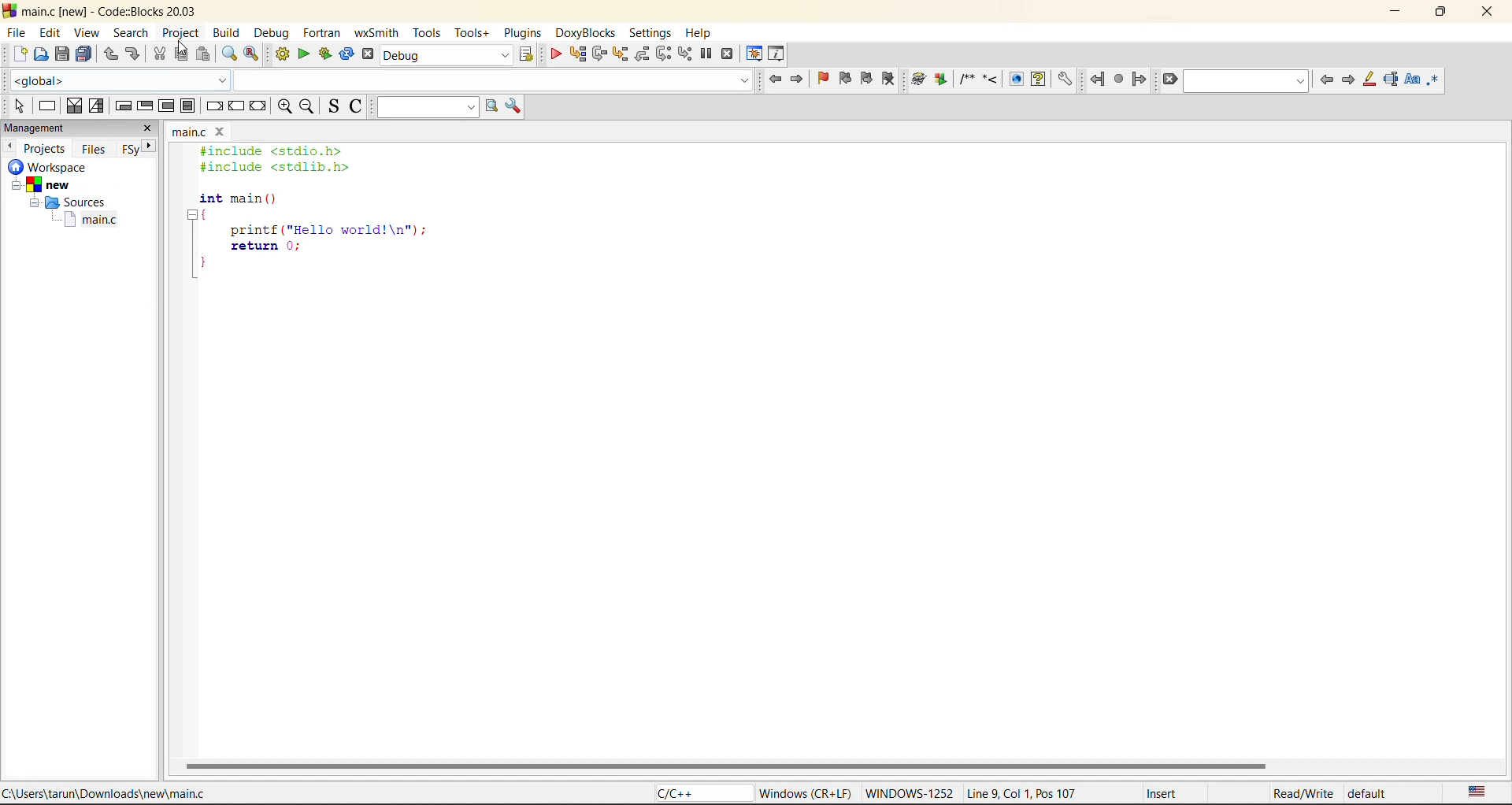 The width and height of the screenshot is (1512, 805). What do you see at coordinates (661, 53) in the screenshot?
I see `next instruction` at bounding box center [661, 53].